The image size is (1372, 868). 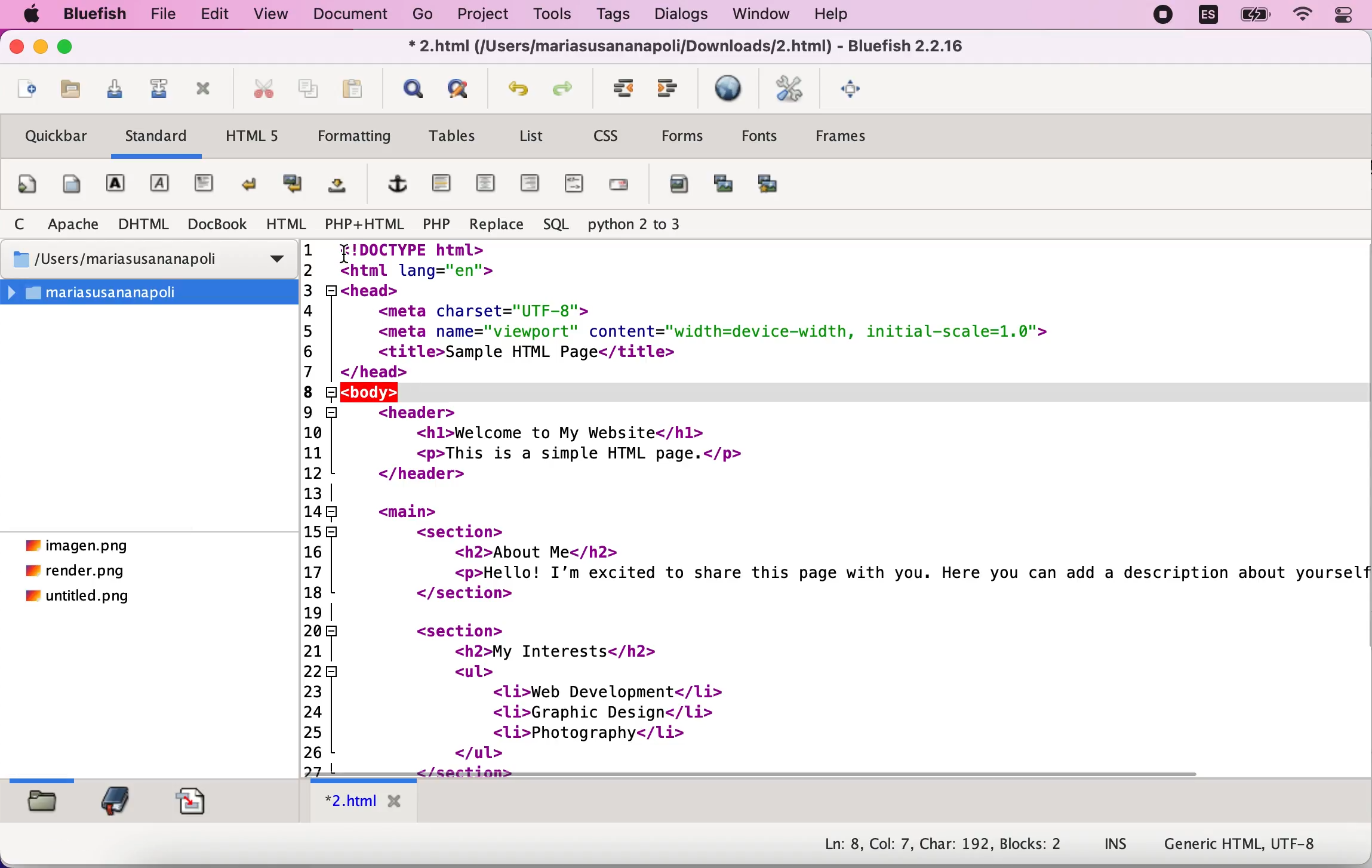 What do you see at coordinates (253, 184) in the screenshot?
I see `break` at bounding box center [253, 184].